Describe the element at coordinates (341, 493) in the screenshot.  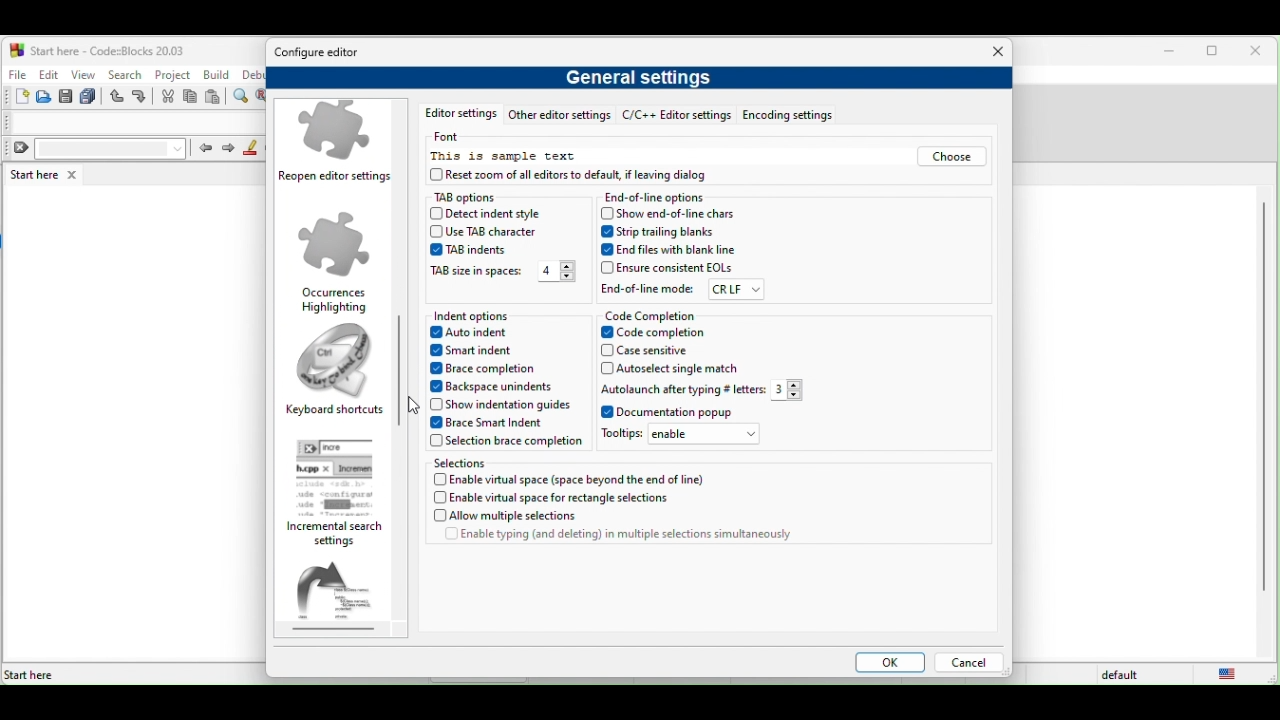
I see `incremental search setting` at that location.